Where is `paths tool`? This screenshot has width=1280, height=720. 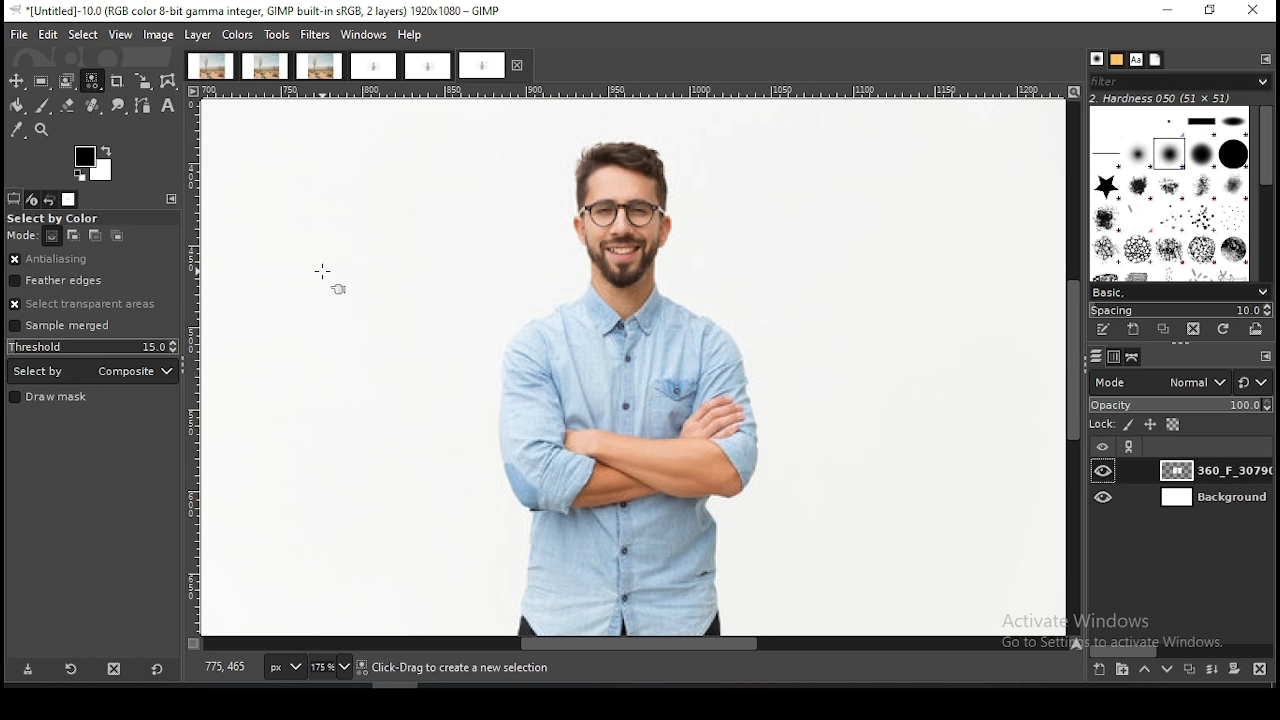 paths tool is located at coordinates (145, 107).